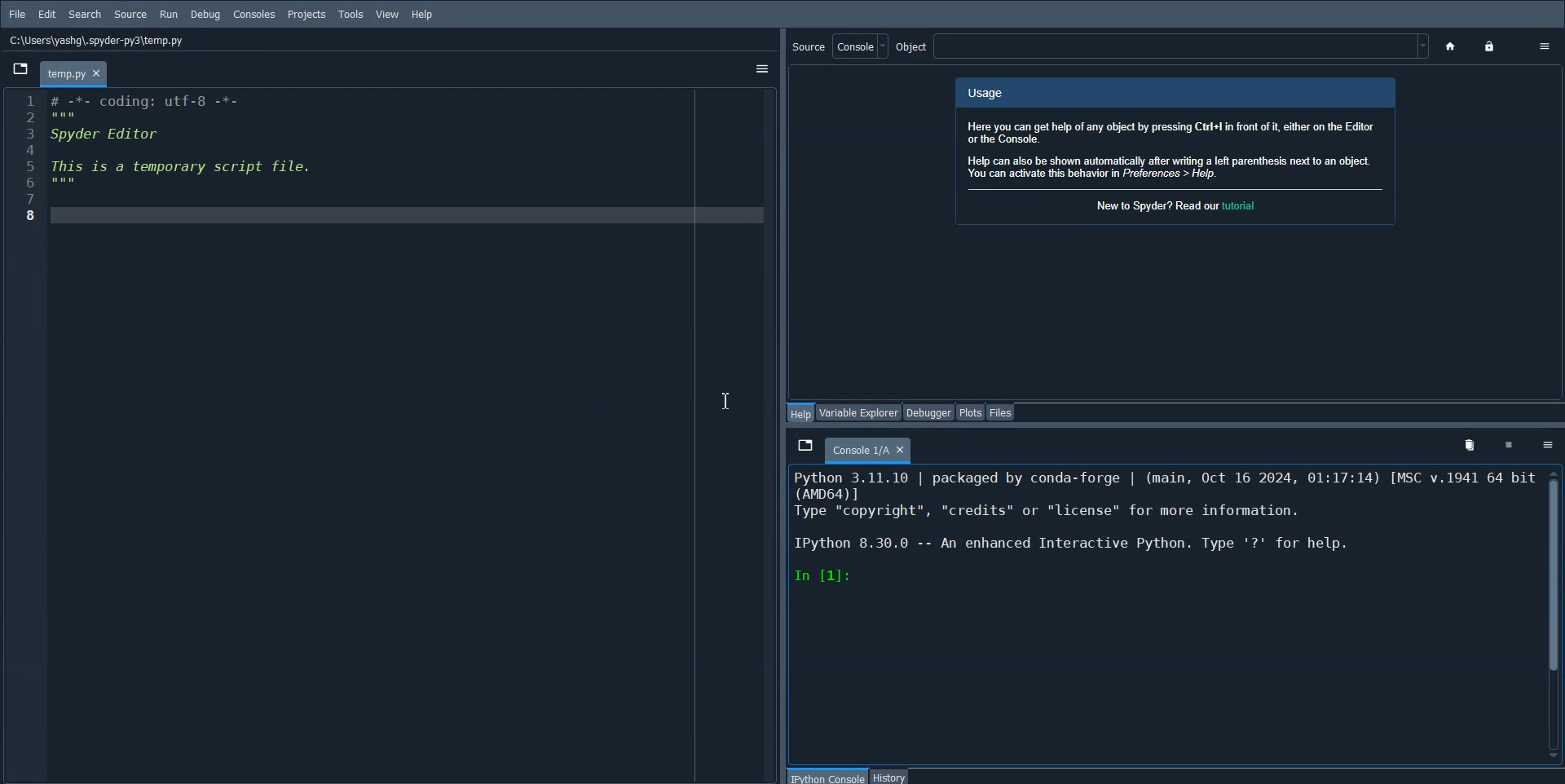 The height and width of the screenshot is (784, 1565). What do you see at coordinates (95, 39) in the screenshot?
I see `C:\Users\yashg\.spyder-py3\temp.py` at bounding box center [95, 39].